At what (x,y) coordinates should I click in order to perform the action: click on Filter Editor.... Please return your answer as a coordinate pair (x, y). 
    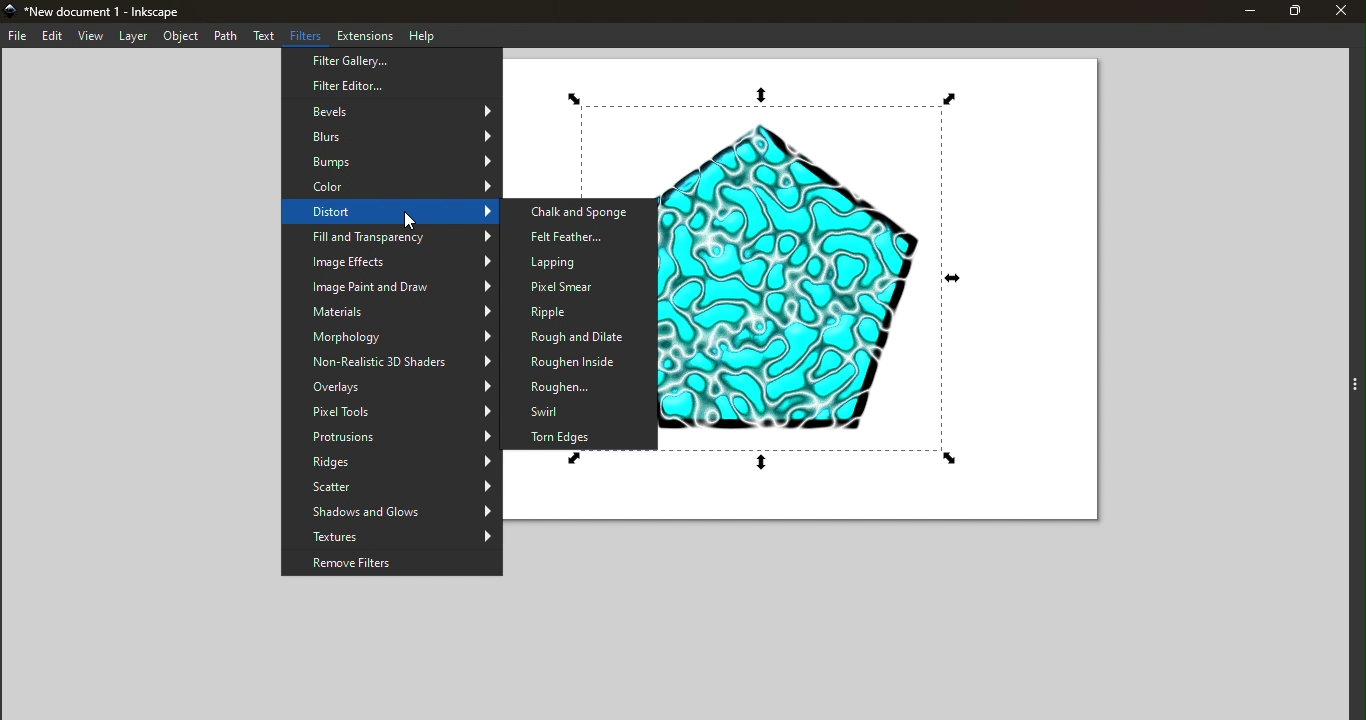
    Looking at the image, I should click on (391, 87).